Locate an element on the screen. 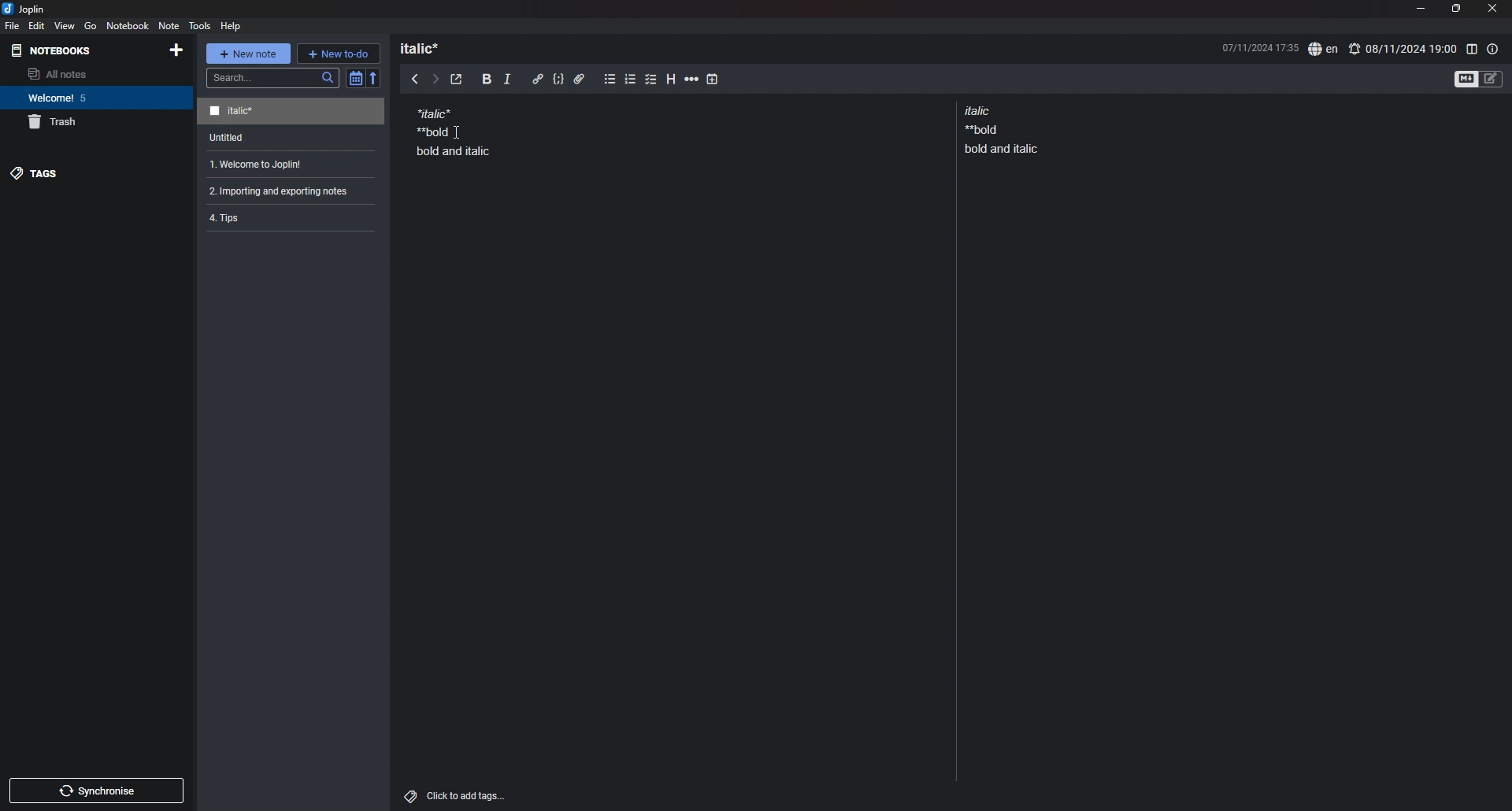  attachment is located at coordinates (580, 80).